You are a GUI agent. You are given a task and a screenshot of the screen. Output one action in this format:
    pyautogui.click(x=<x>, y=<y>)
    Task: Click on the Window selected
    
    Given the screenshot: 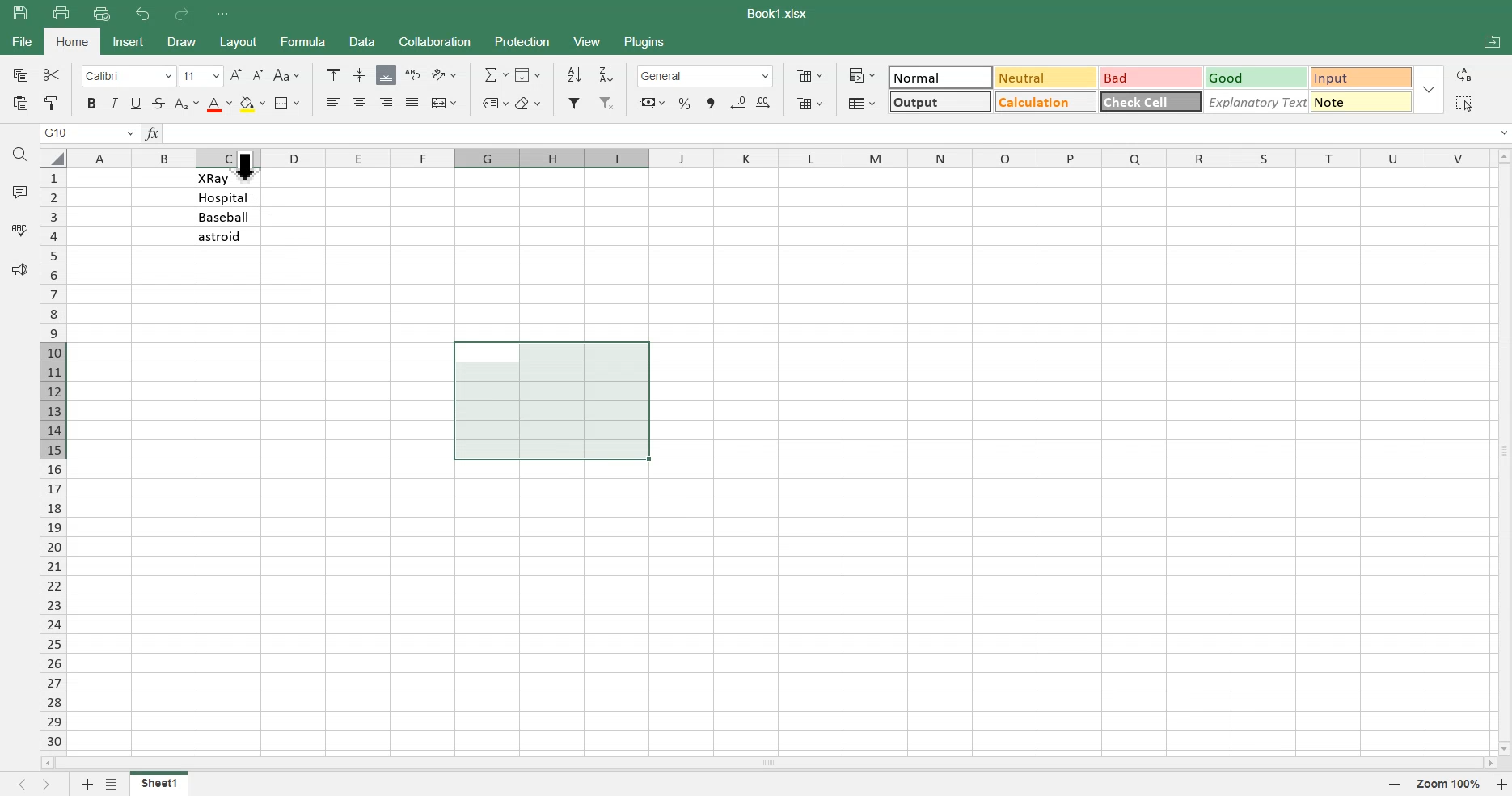 What is the action you would take?
    pyautogui.click(x=548, y=401)
    